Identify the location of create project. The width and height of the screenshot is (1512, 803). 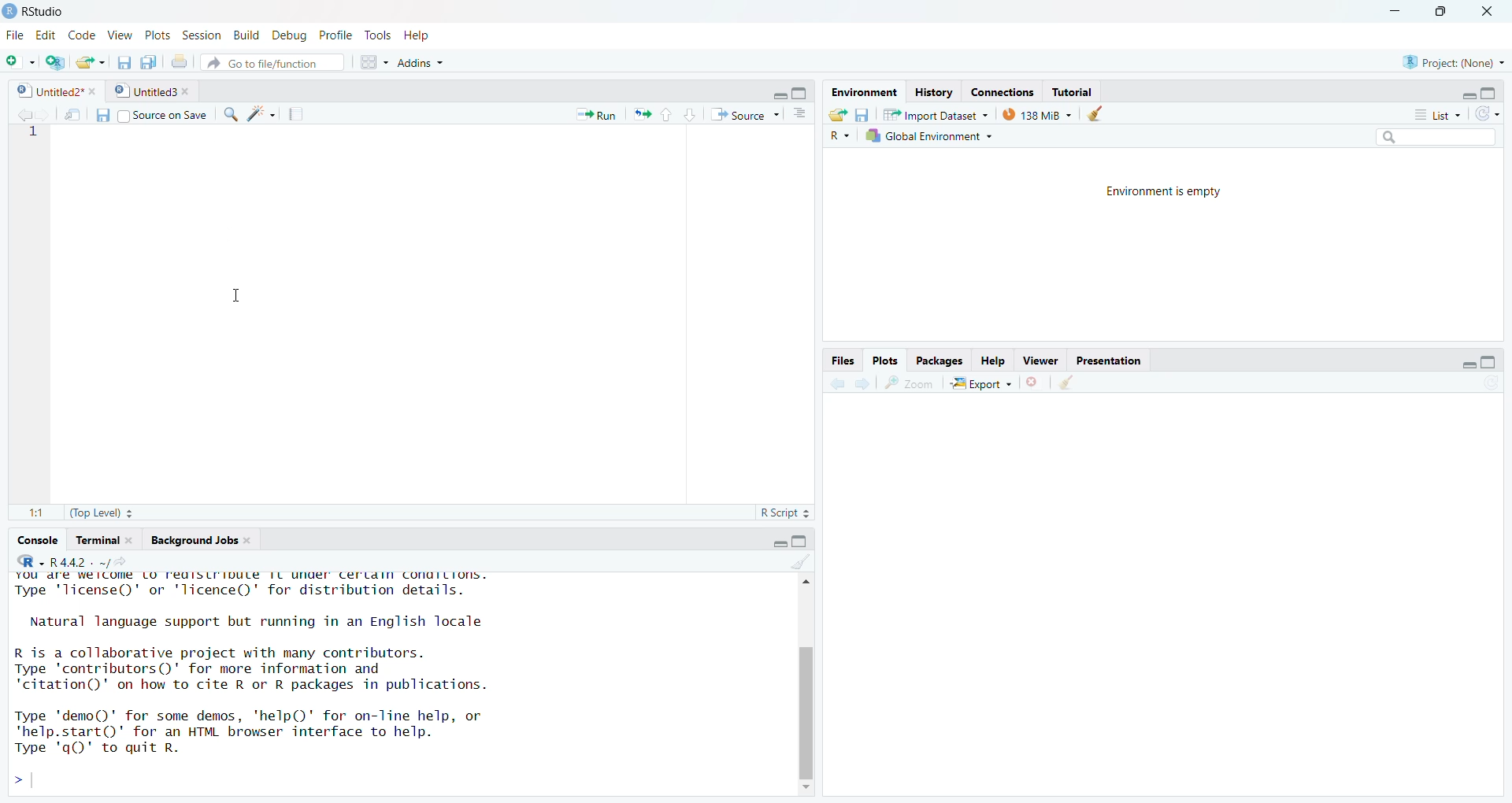
(54, 62).